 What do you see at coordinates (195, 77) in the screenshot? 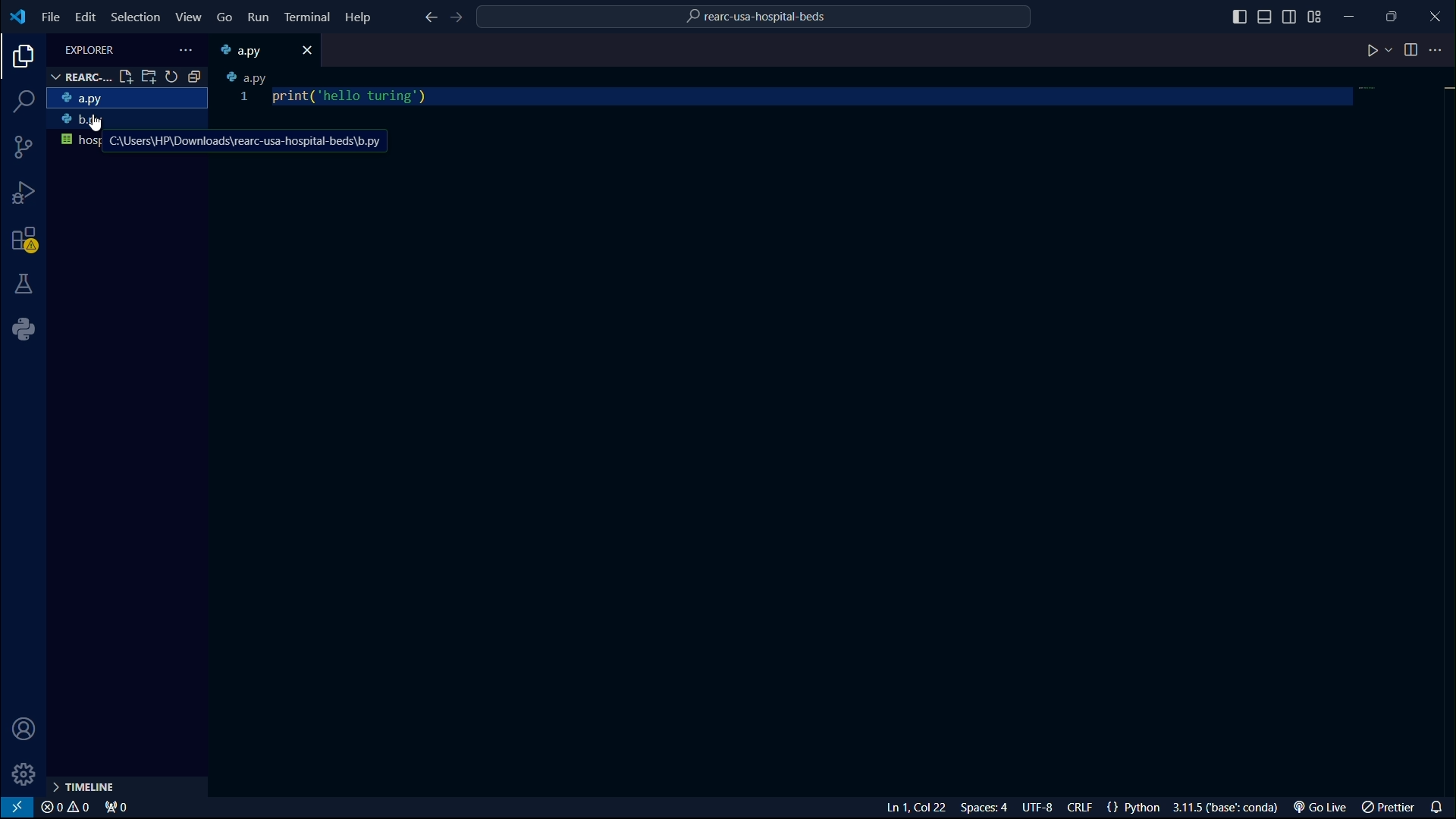
I see `collapse folder in explorer` at bounding box center [195, 77].